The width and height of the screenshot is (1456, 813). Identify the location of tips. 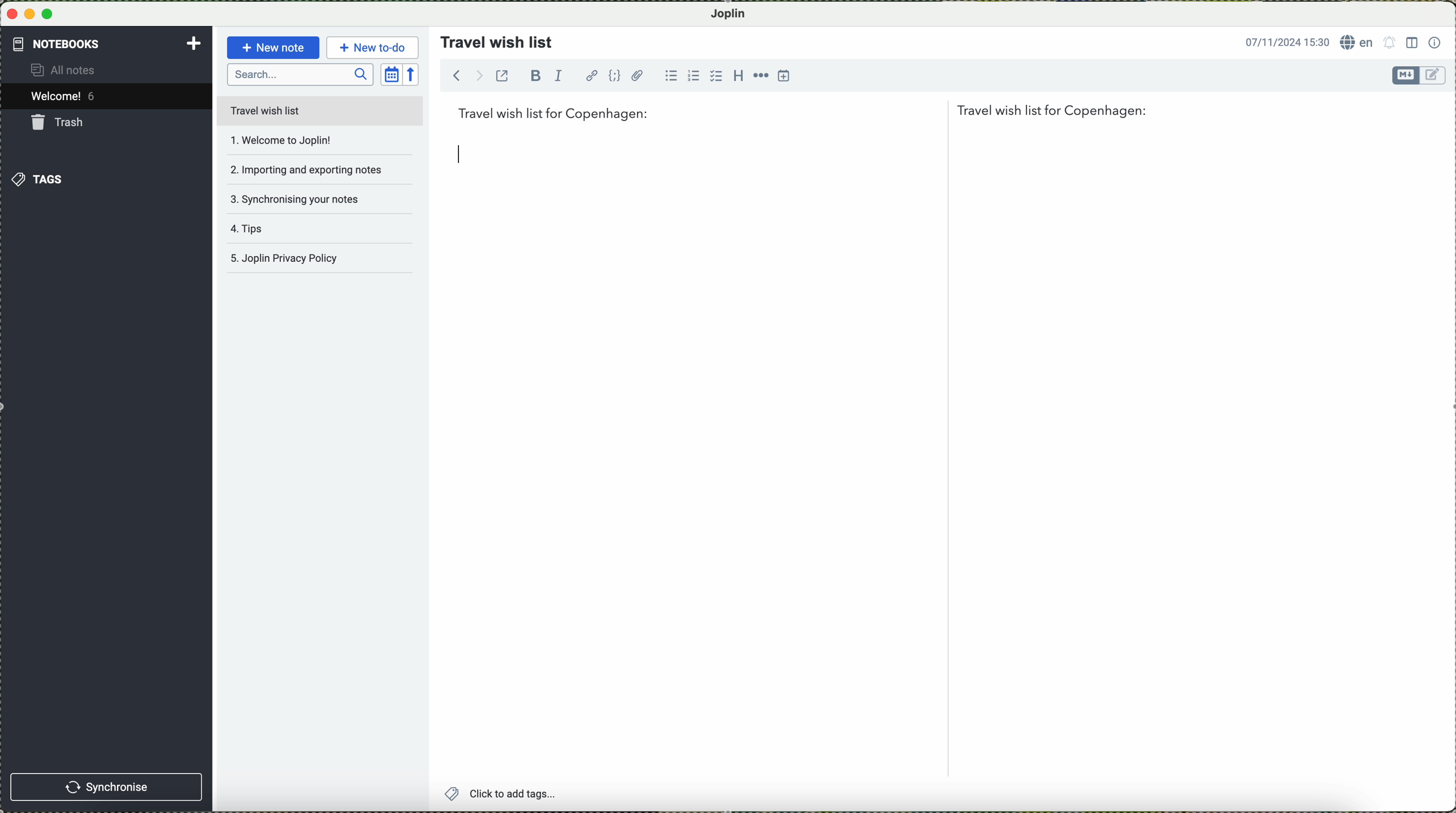
(298, 233).